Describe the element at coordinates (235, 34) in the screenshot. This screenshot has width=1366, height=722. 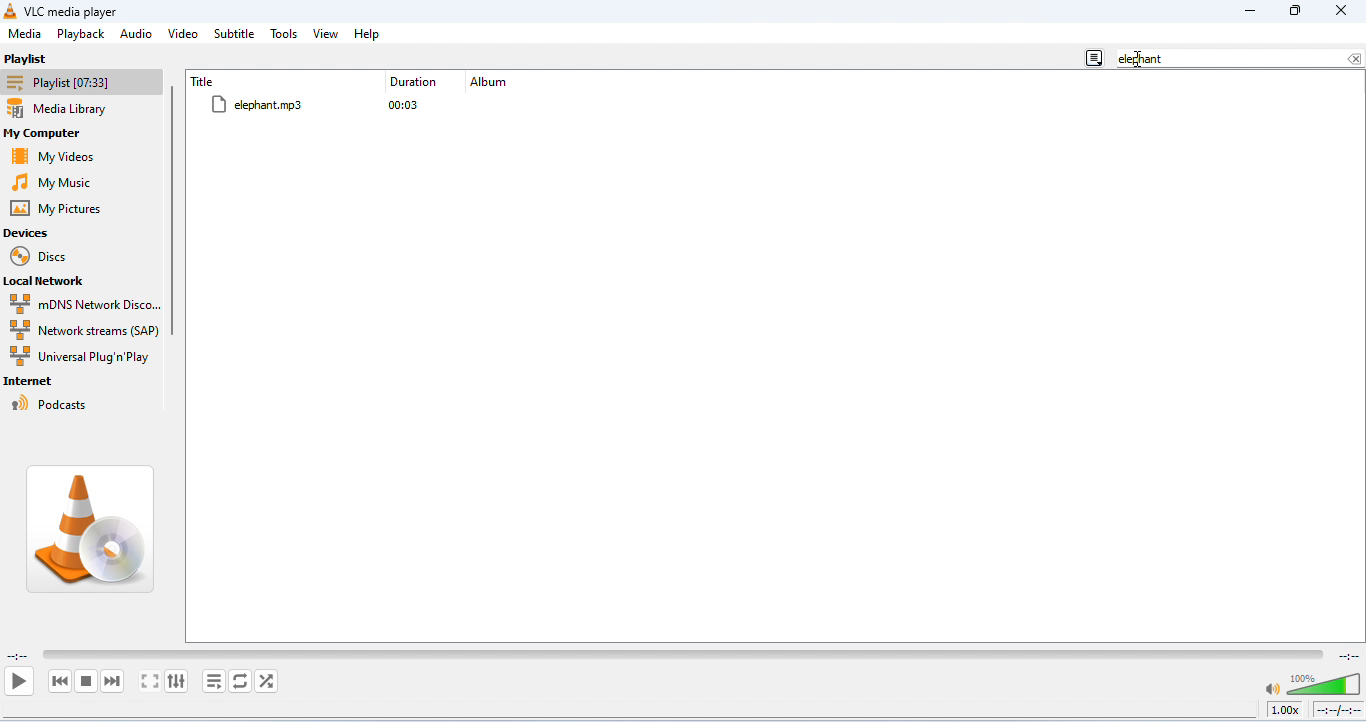
I see `subtitle` at that location.